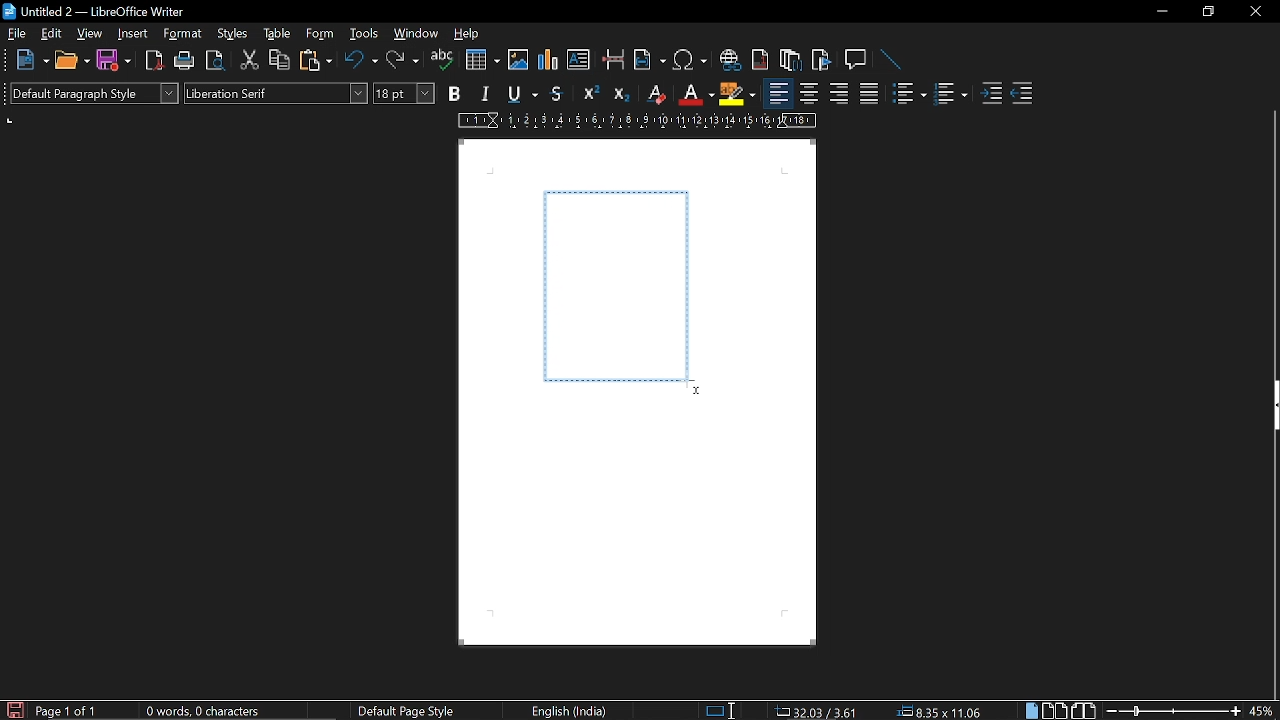 This screenshot has width=1280, height=720. I want to click on insert comment, so click(856, 59).